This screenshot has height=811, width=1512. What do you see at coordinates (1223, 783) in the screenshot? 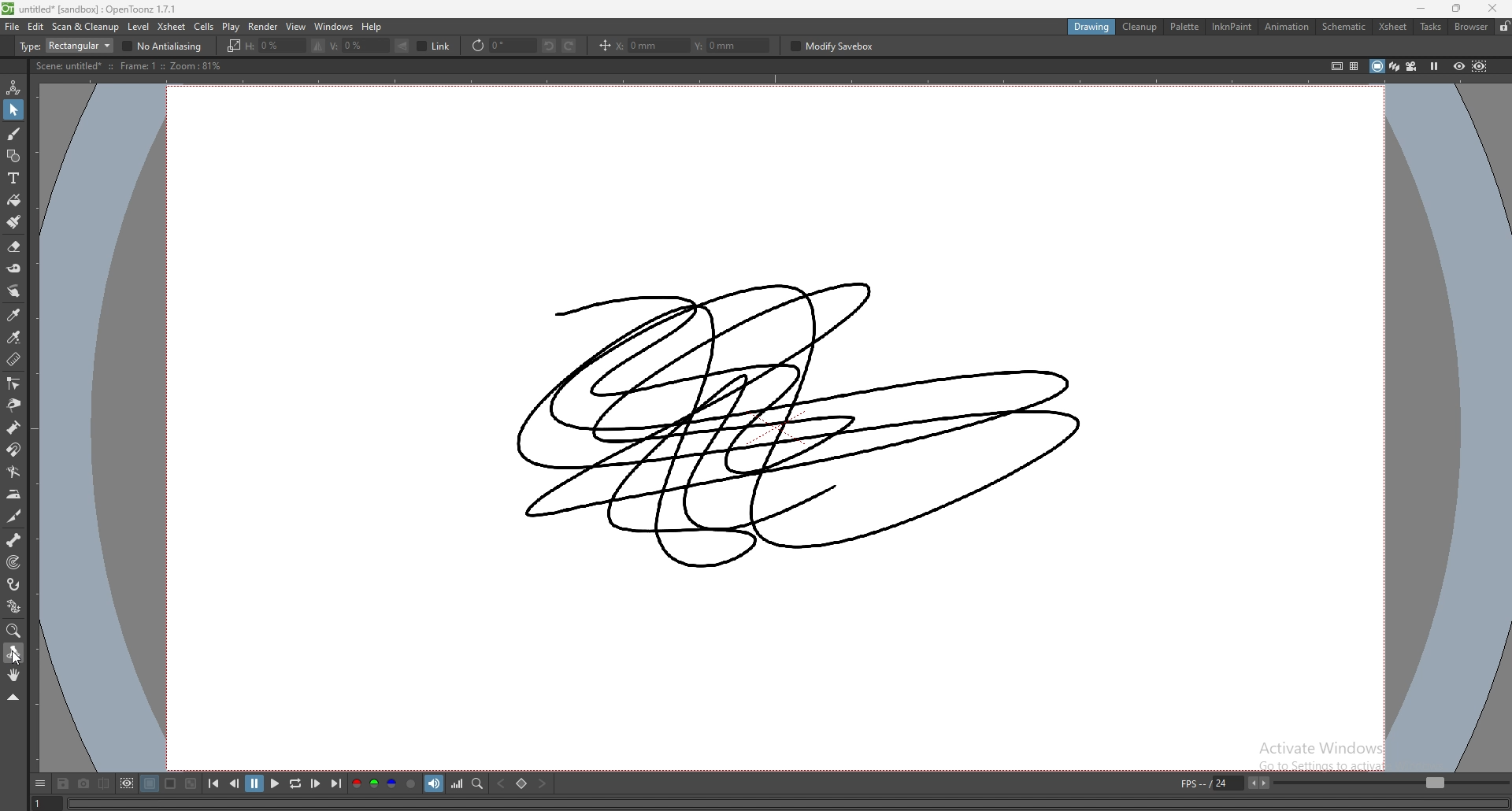
I see `fps` at bounding box center [1223, 783].